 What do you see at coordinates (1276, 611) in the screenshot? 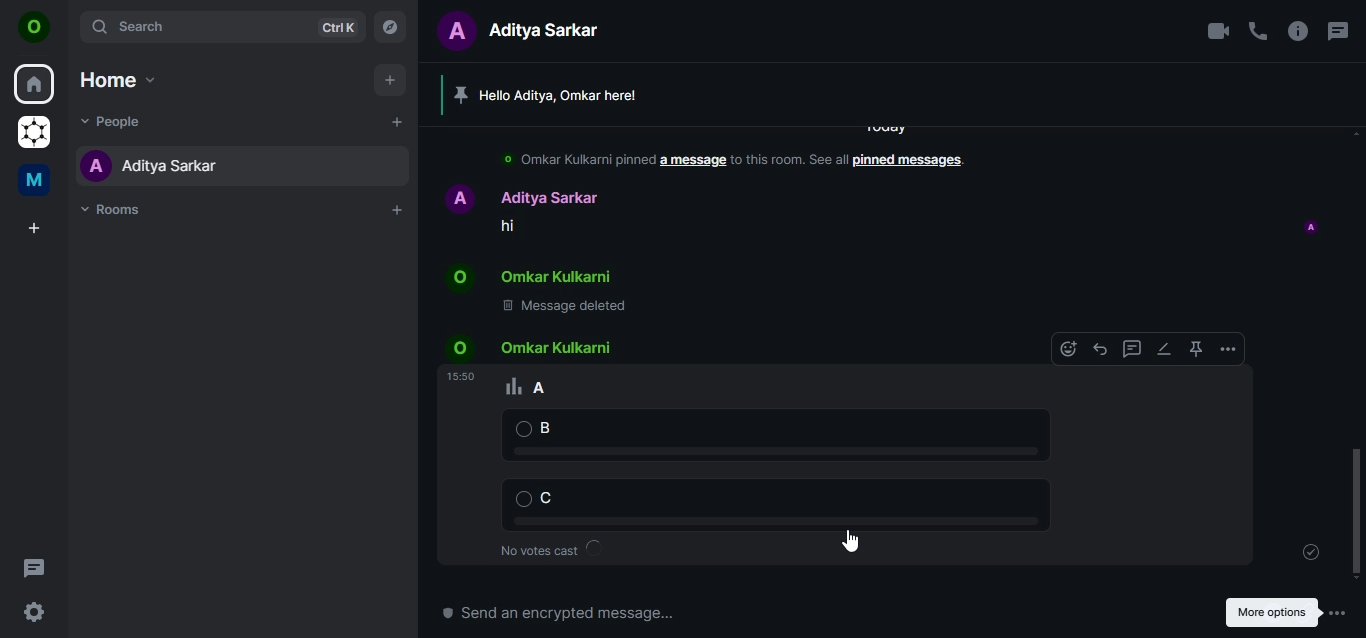
I see `more options` at bounding box center [1276, 611].